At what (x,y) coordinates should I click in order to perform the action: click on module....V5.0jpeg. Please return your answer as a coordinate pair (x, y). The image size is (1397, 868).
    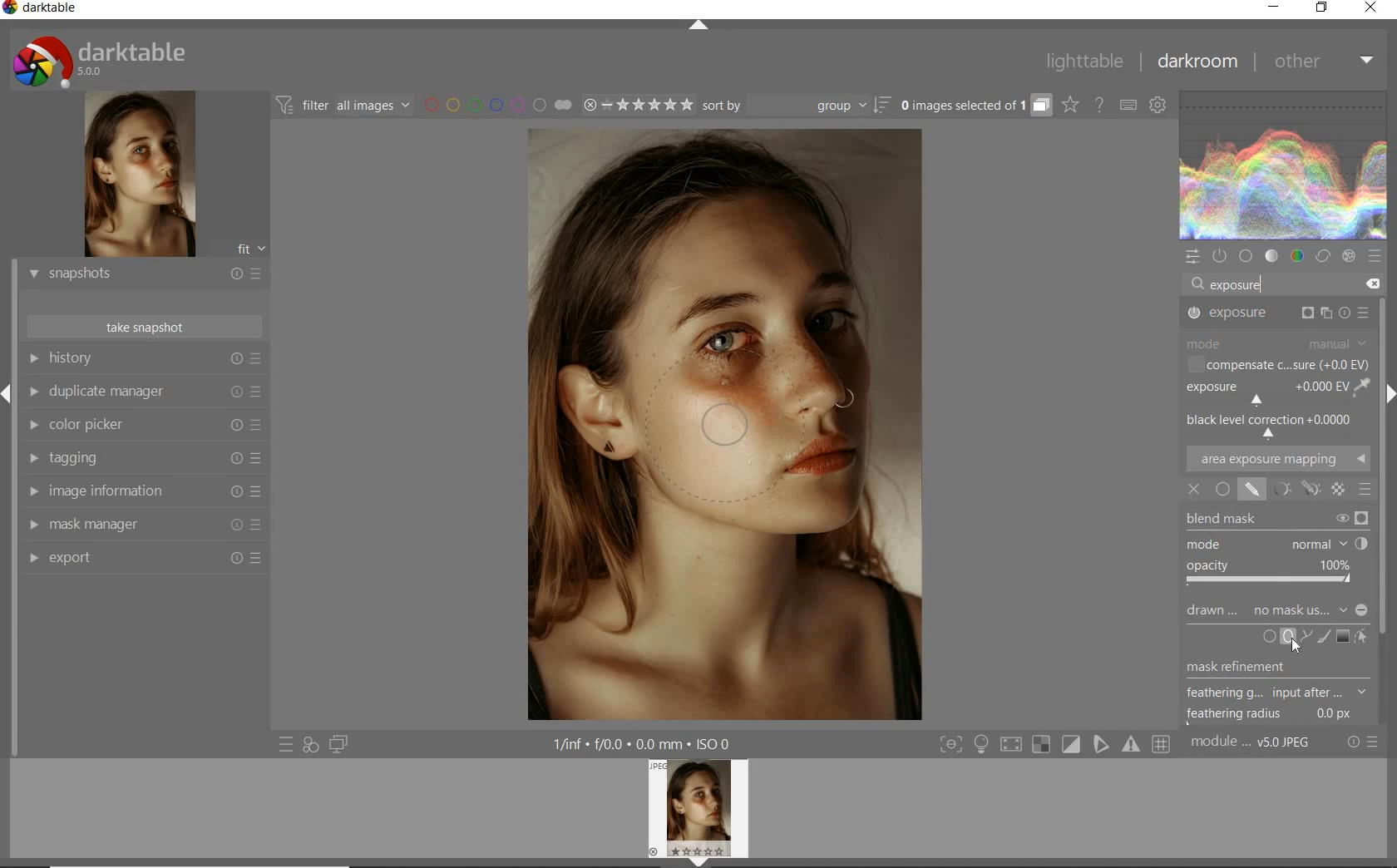
    Looking at the image, I should click on (1261, 744).